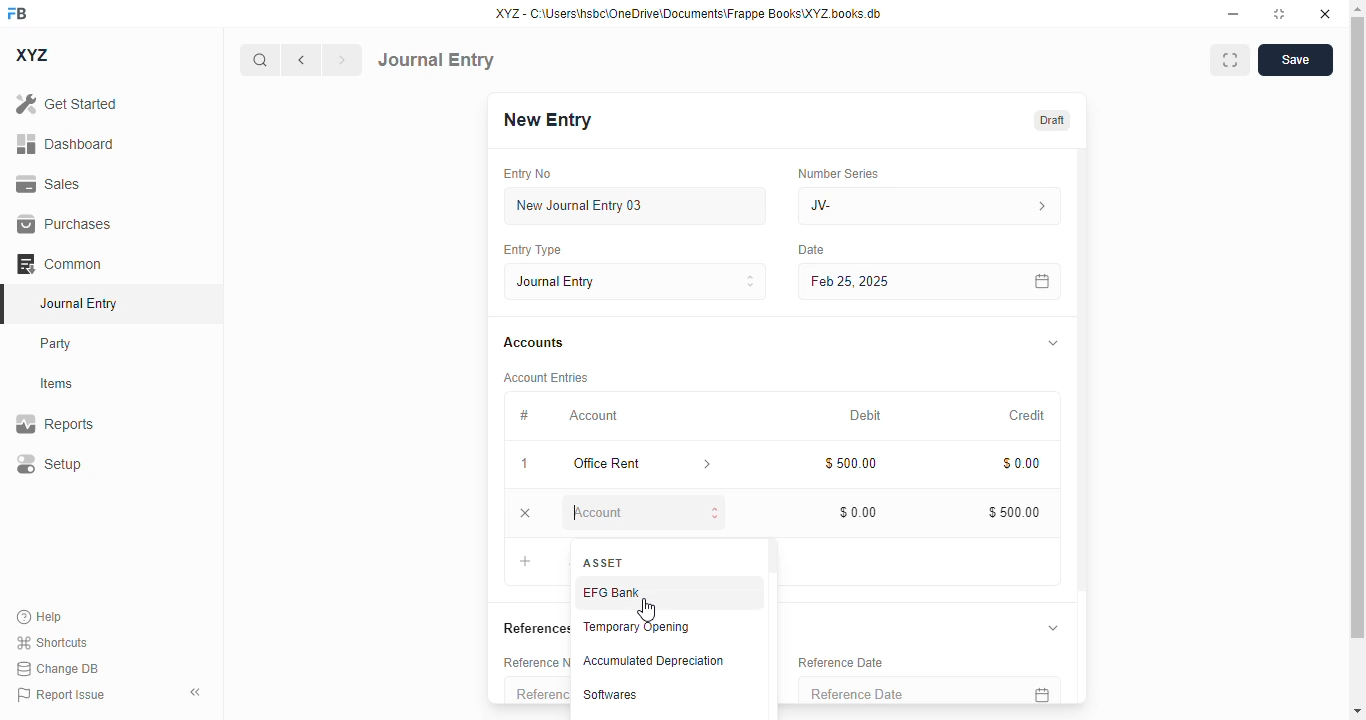 The image size is (1366, 720). Describe the element at coordinates (688, 13) in the screenshot. I see `XYZ - C:\Users\hsbc\OneDrive\Documents\Frappe Books\XYZ books.db` at that location.